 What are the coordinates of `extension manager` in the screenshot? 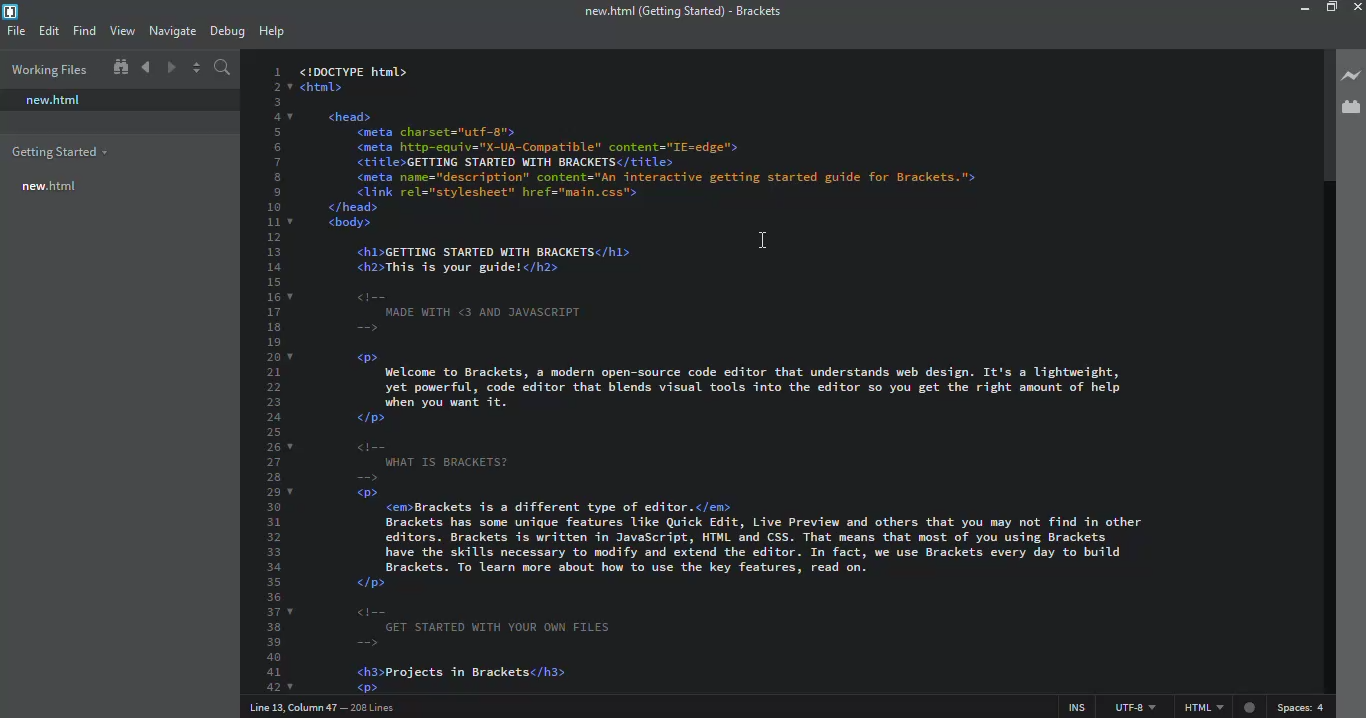 It's located at (1350, 108).